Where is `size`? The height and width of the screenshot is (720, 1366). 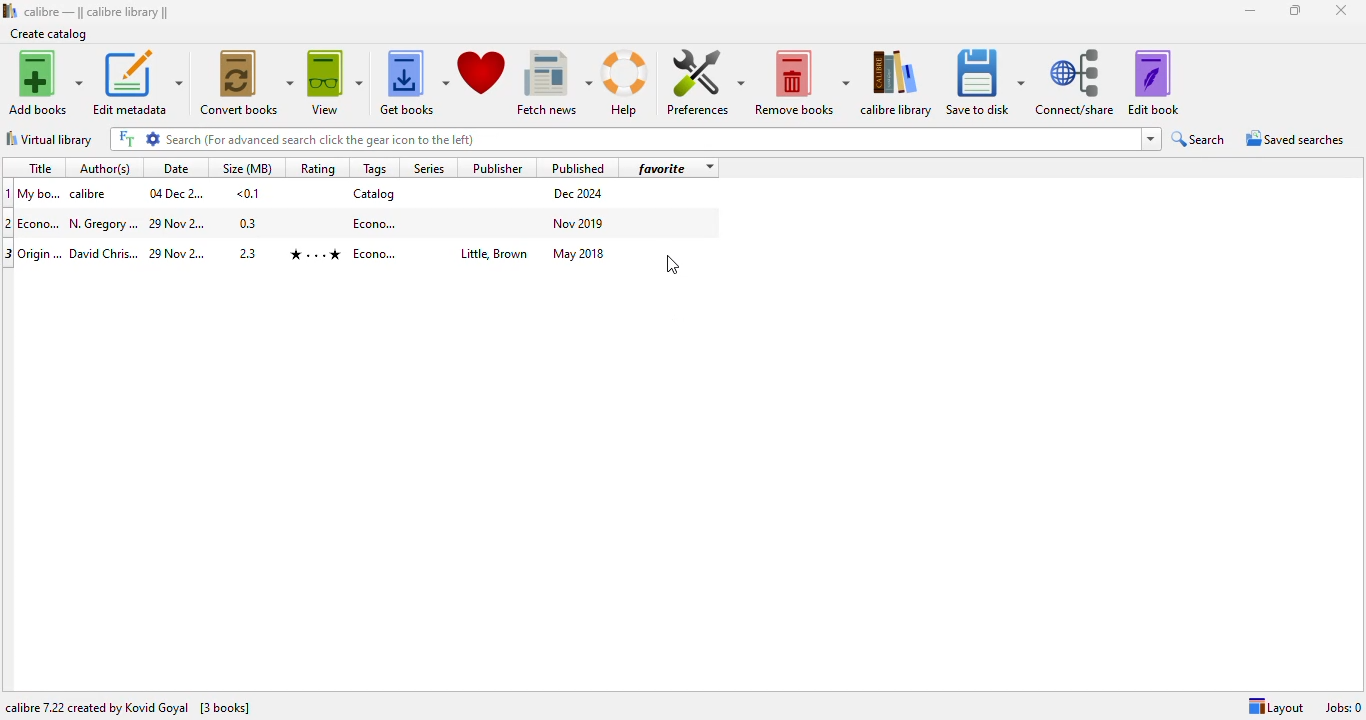 size is located at coordinates (248, 193).